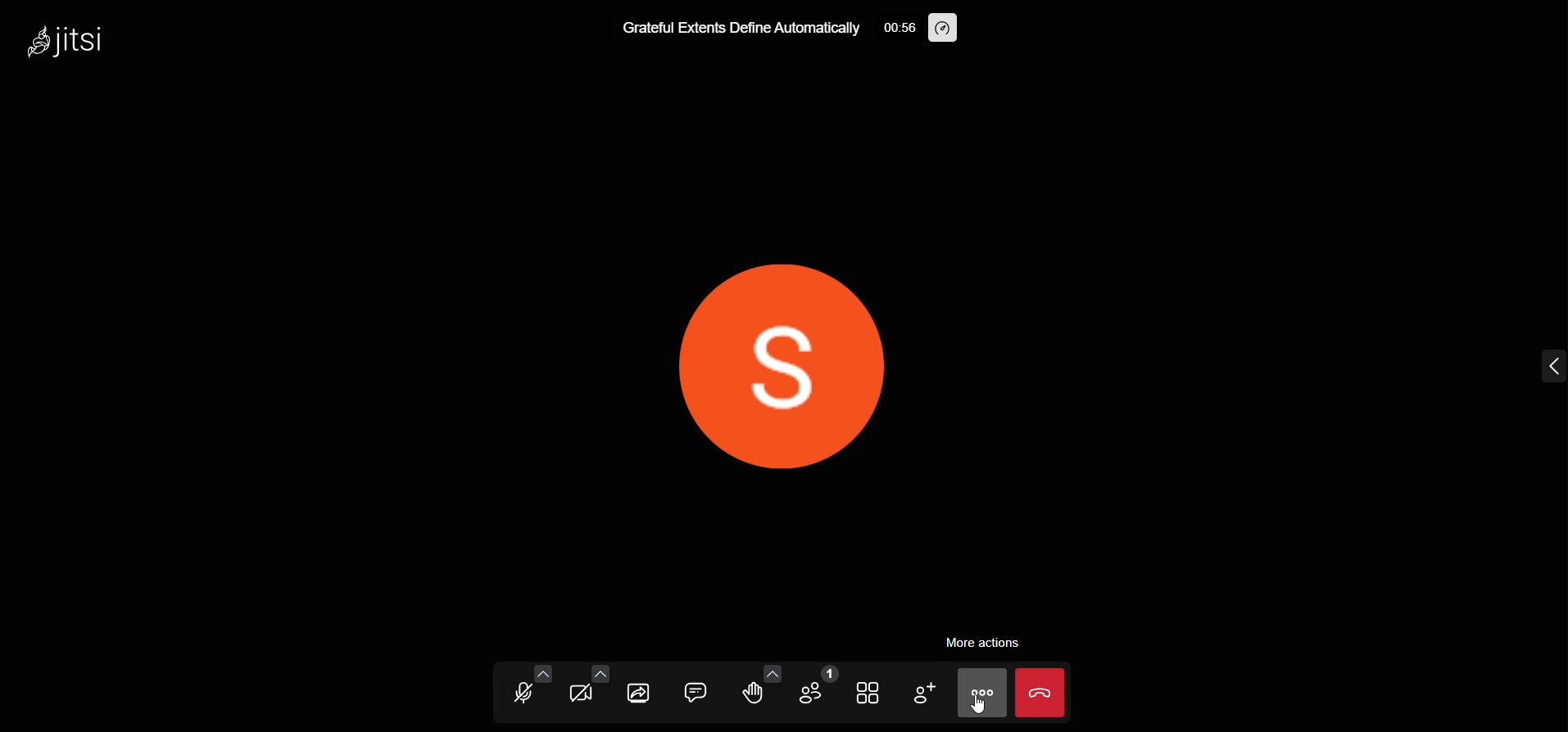 The height and width of the screenshot is (732, 1568). Describe the element at coordinates (985, 641) in the screenshot. I see `more actions` at that location.